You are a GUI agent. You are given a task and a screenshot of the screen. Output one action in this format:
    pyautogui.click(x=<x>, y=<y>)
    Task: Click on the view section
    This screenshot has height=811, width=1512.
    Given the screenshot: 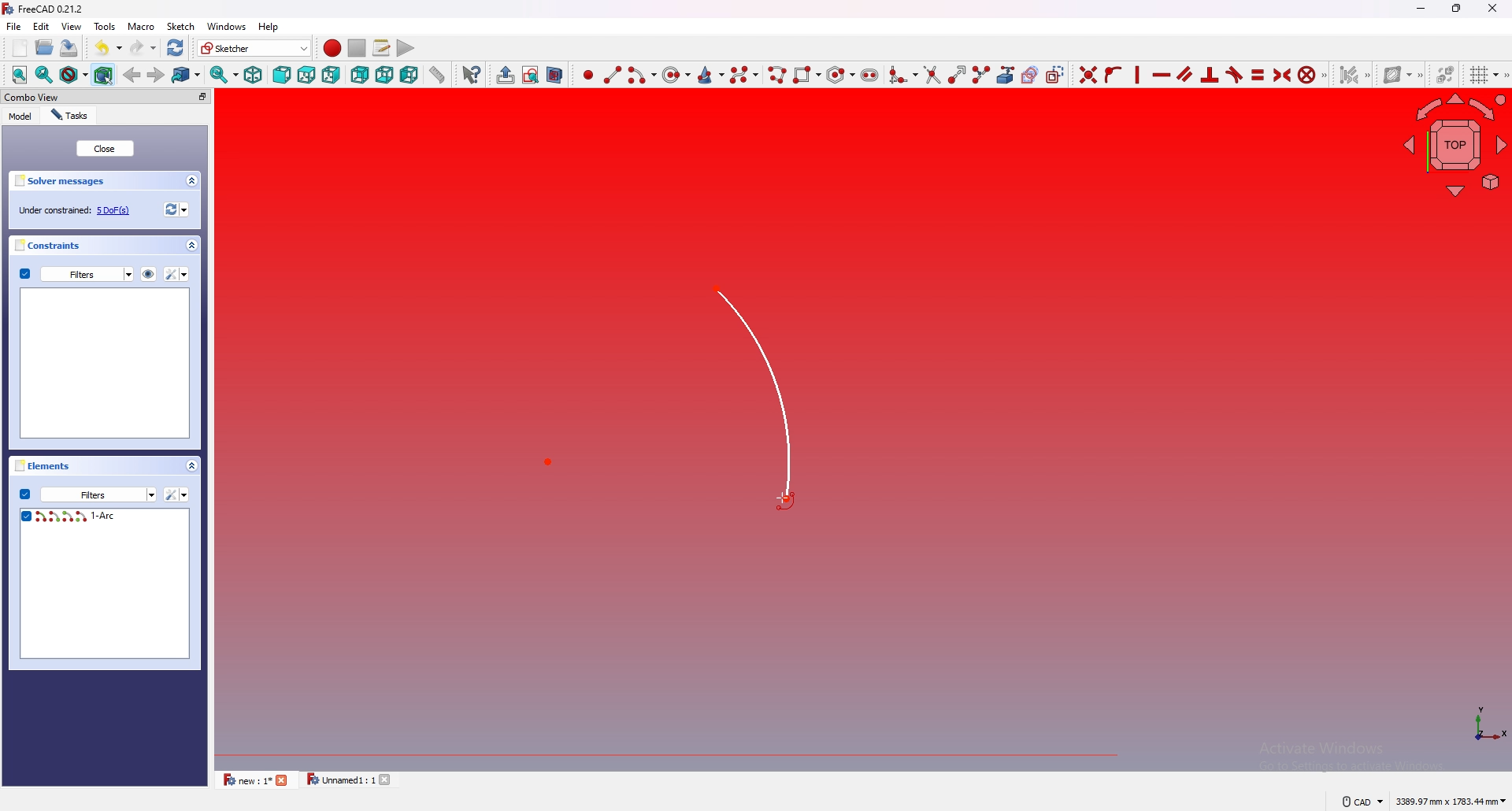 What is the action you would take?
    pyautogui.click(x=558, y=72)
    